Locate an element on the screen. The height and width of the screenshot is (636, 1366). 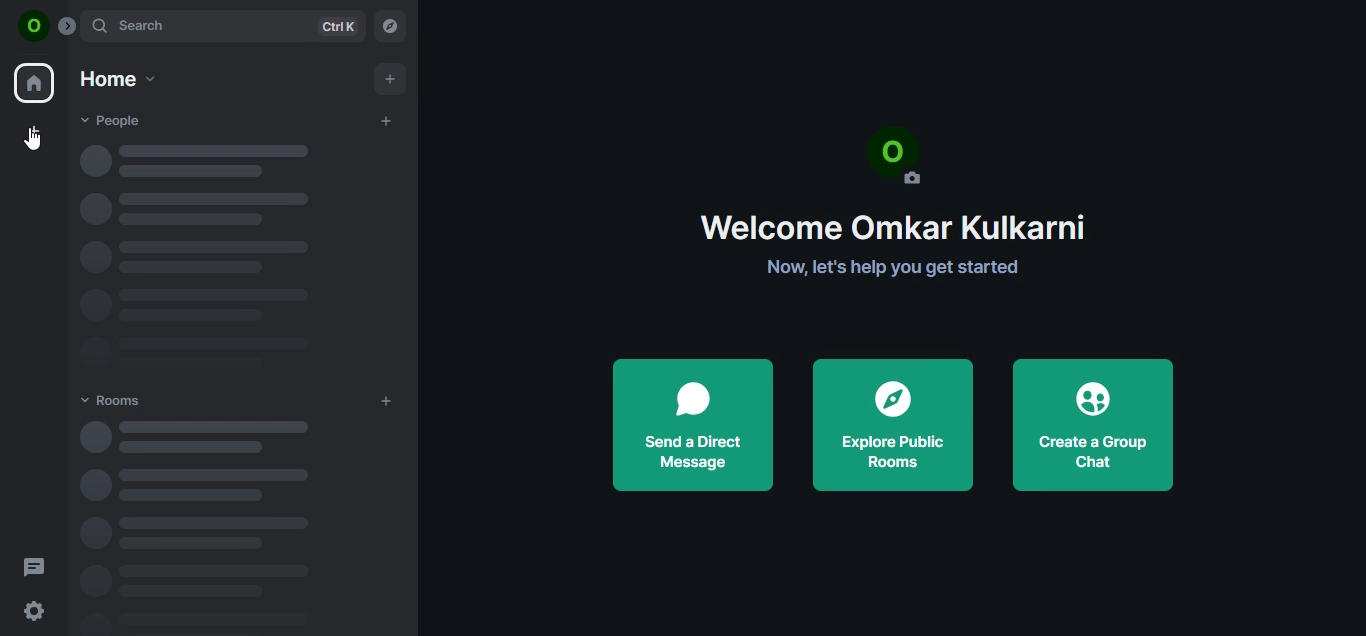
threads is located at coordinates (35, 566).